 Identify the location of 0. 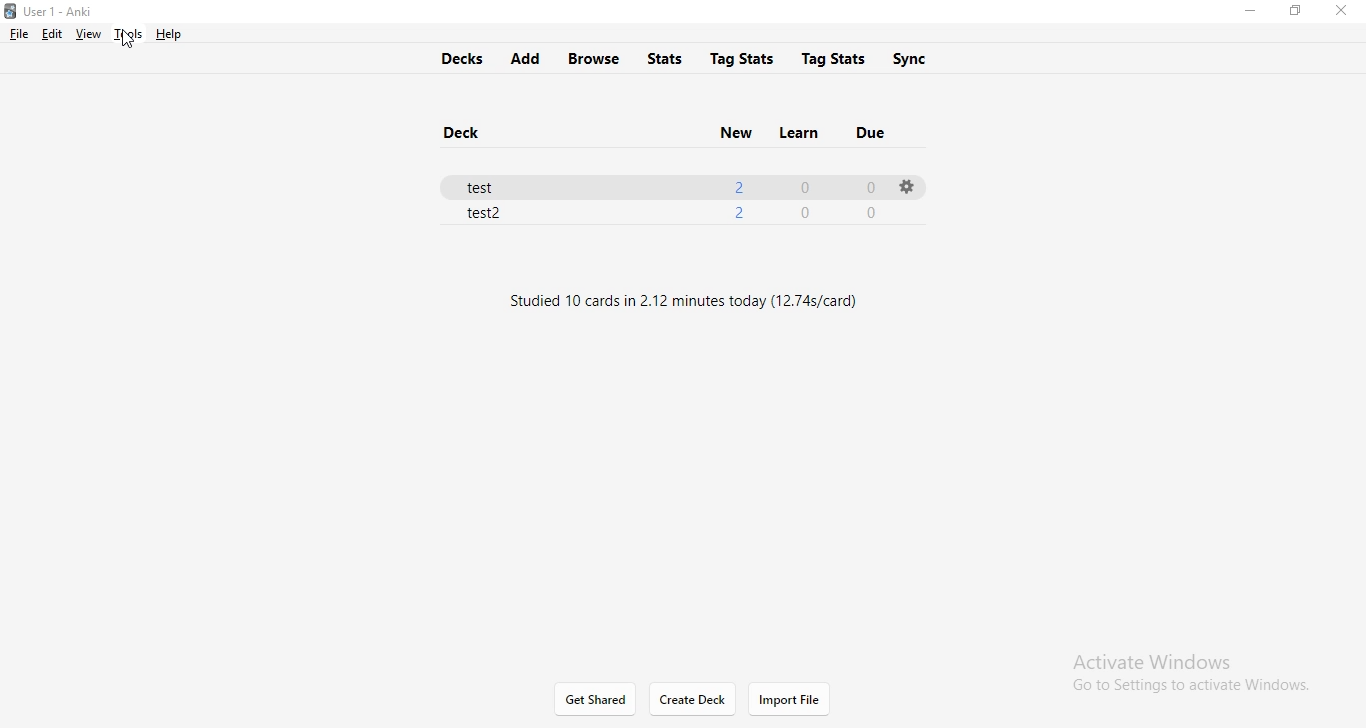
(868, 185).